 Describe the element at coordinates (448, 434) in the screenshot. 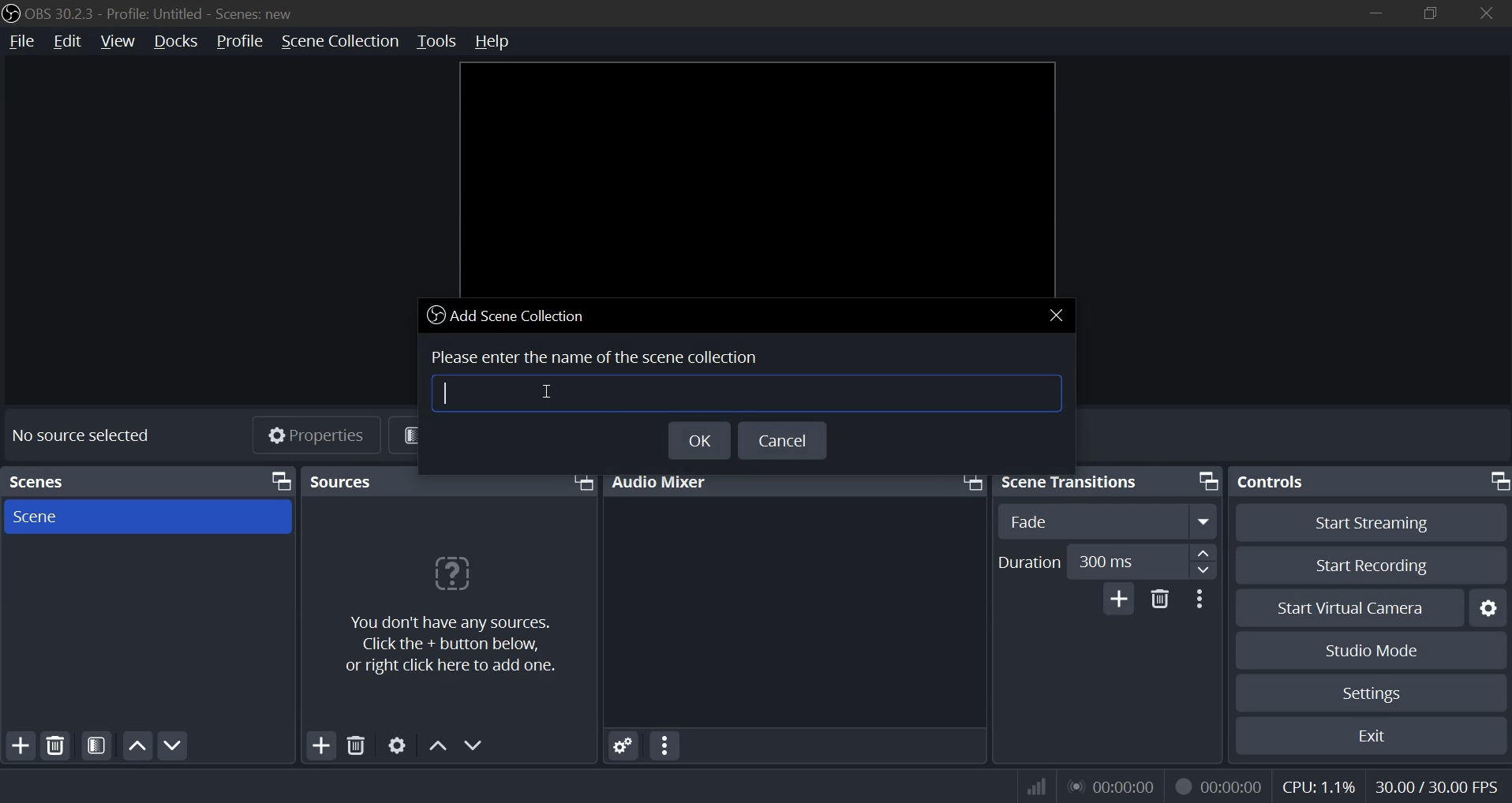

I see `filters` at that location.